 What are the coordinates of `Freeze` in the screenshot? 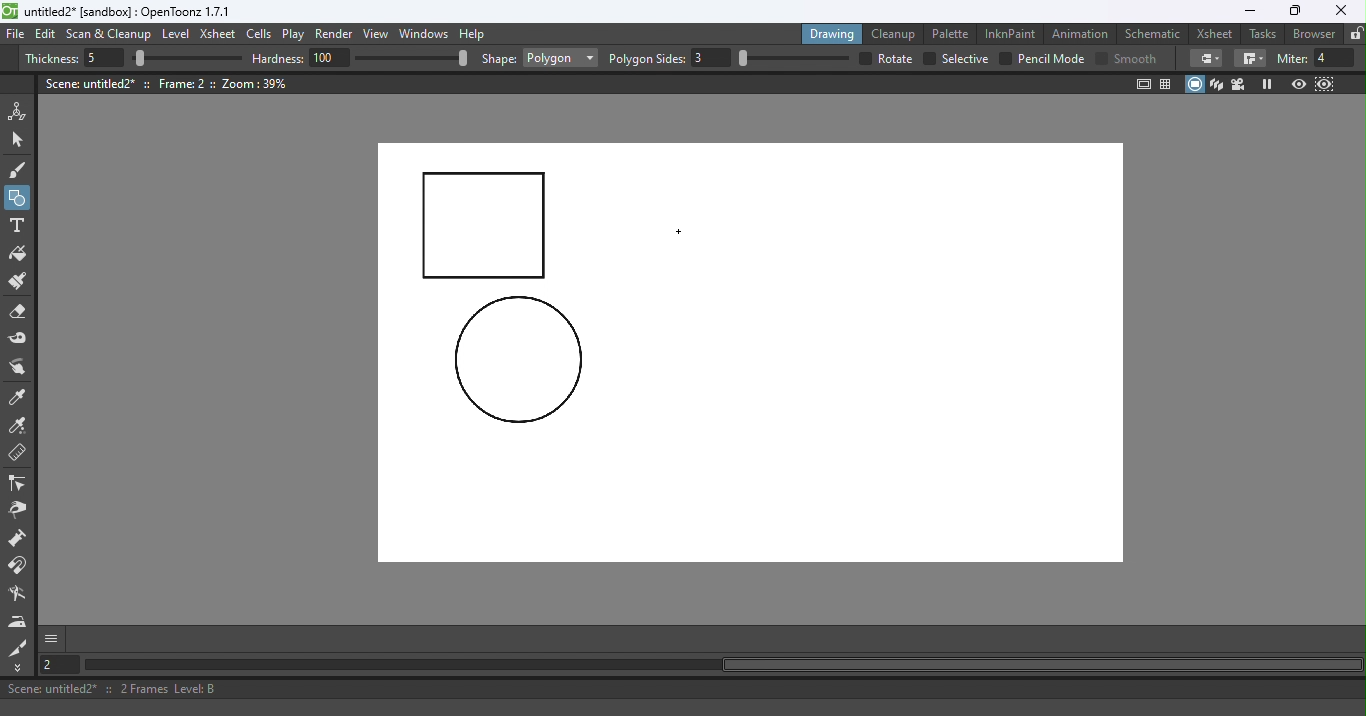 It's located at (1267, 84).